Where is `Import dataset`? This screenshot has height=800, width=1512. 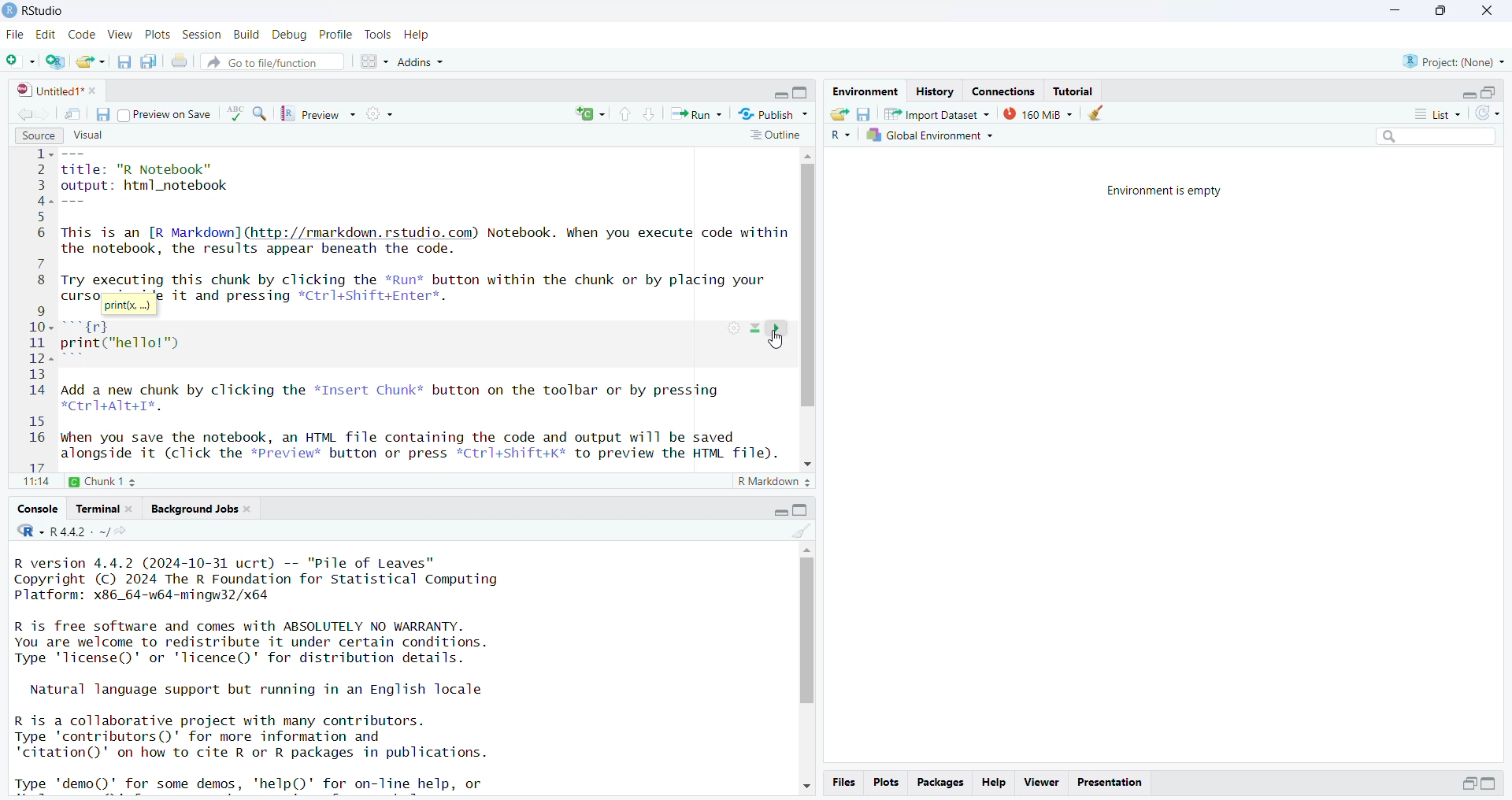
Import dataset is located at coordinates (936, 113).